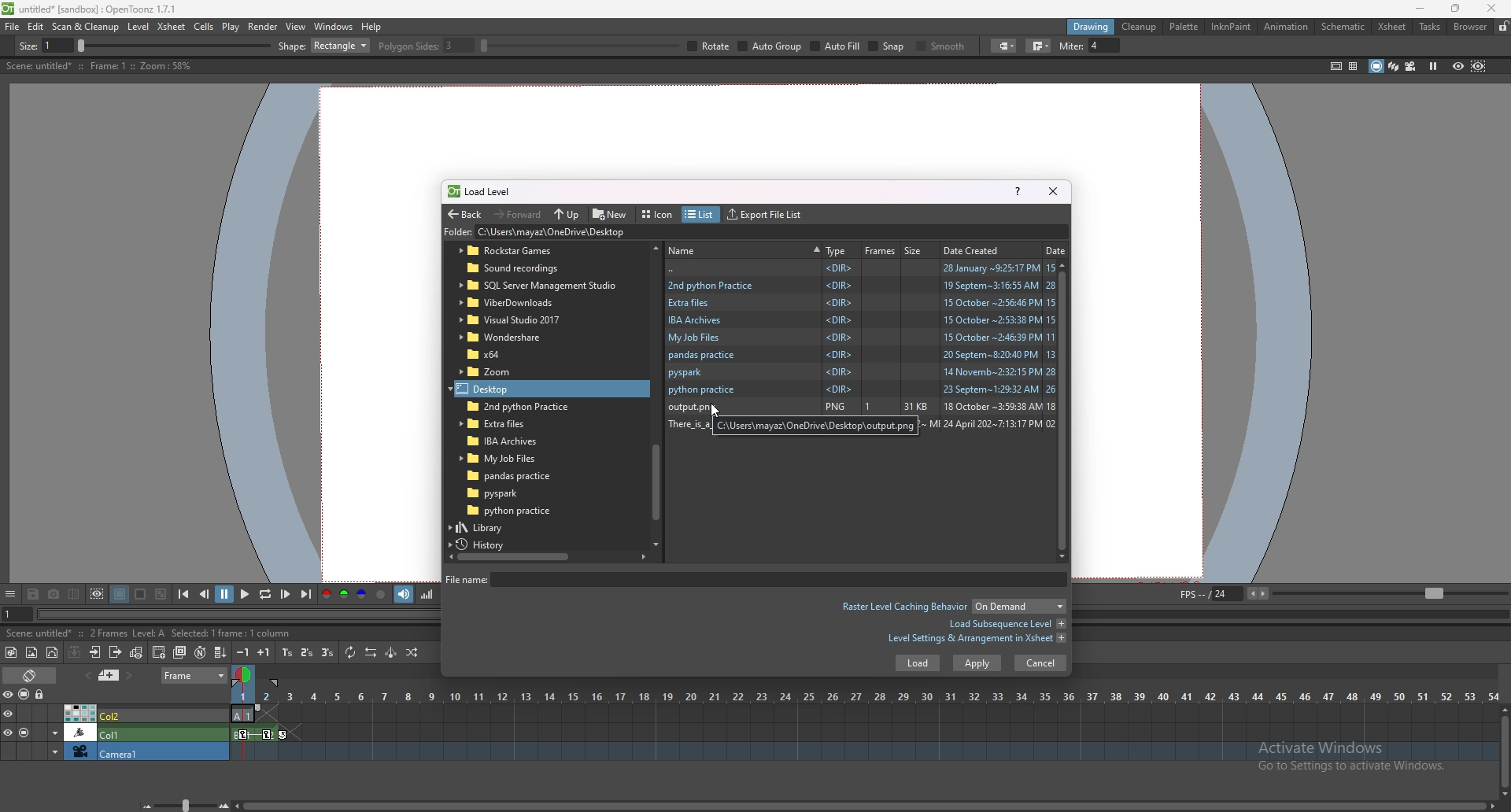  What do you see at coordinates (486, 544) in the screenshot?
I see `history` at bounding box center [486, 544].